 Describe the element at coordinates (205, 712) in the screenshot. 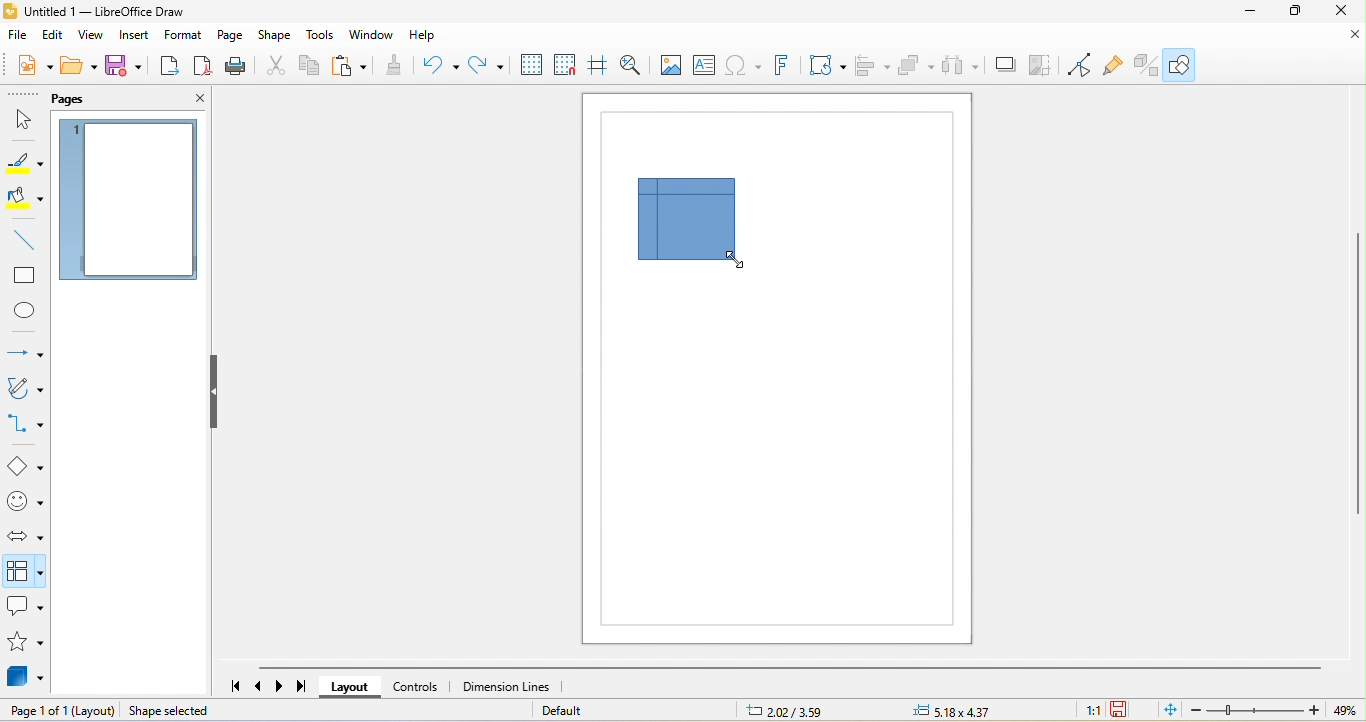

I see `shape selected` at that location.